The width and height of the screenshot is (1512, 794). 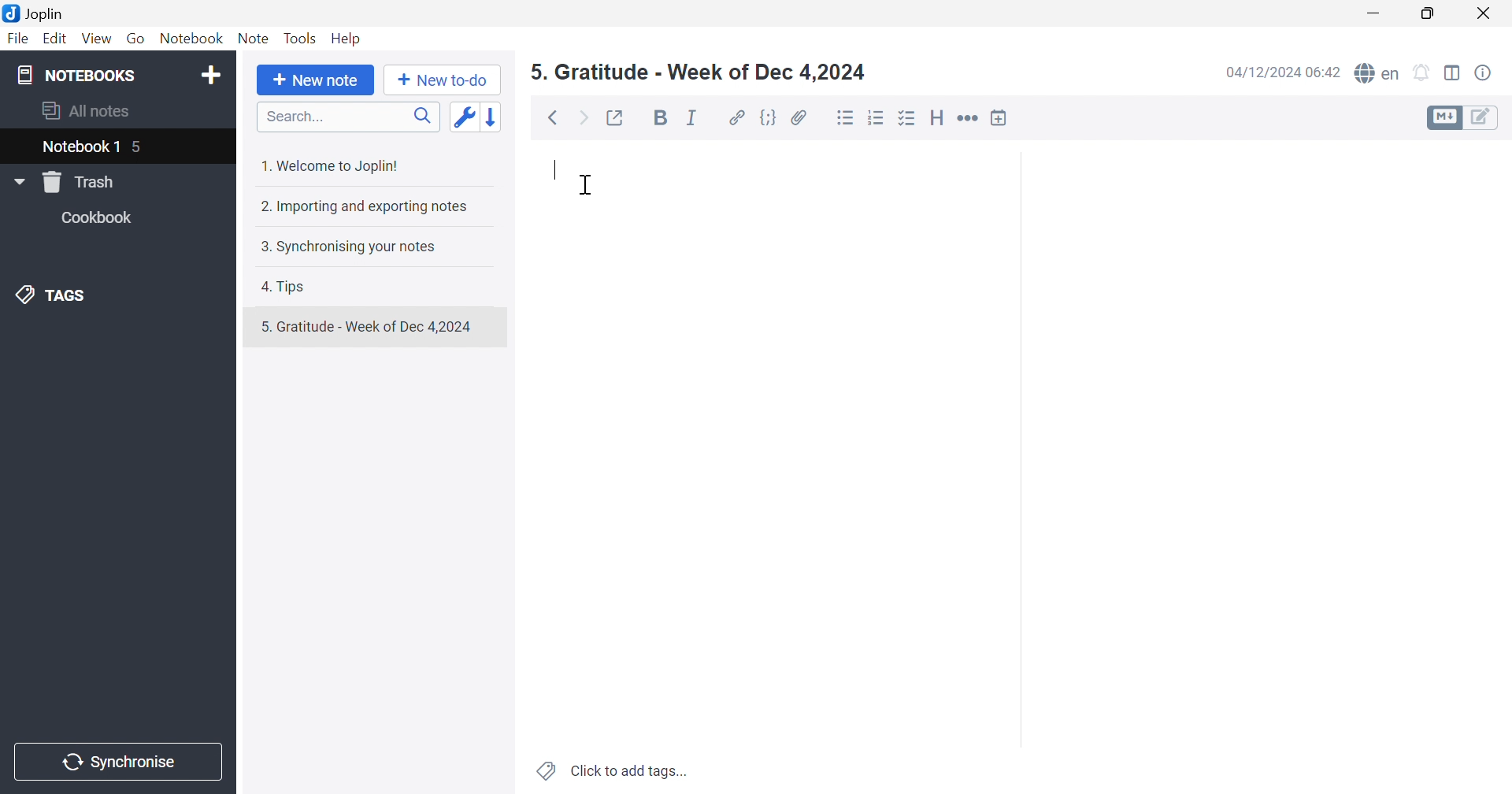 I want to click on Toggle editor layout, so click(x=1453, y=73).